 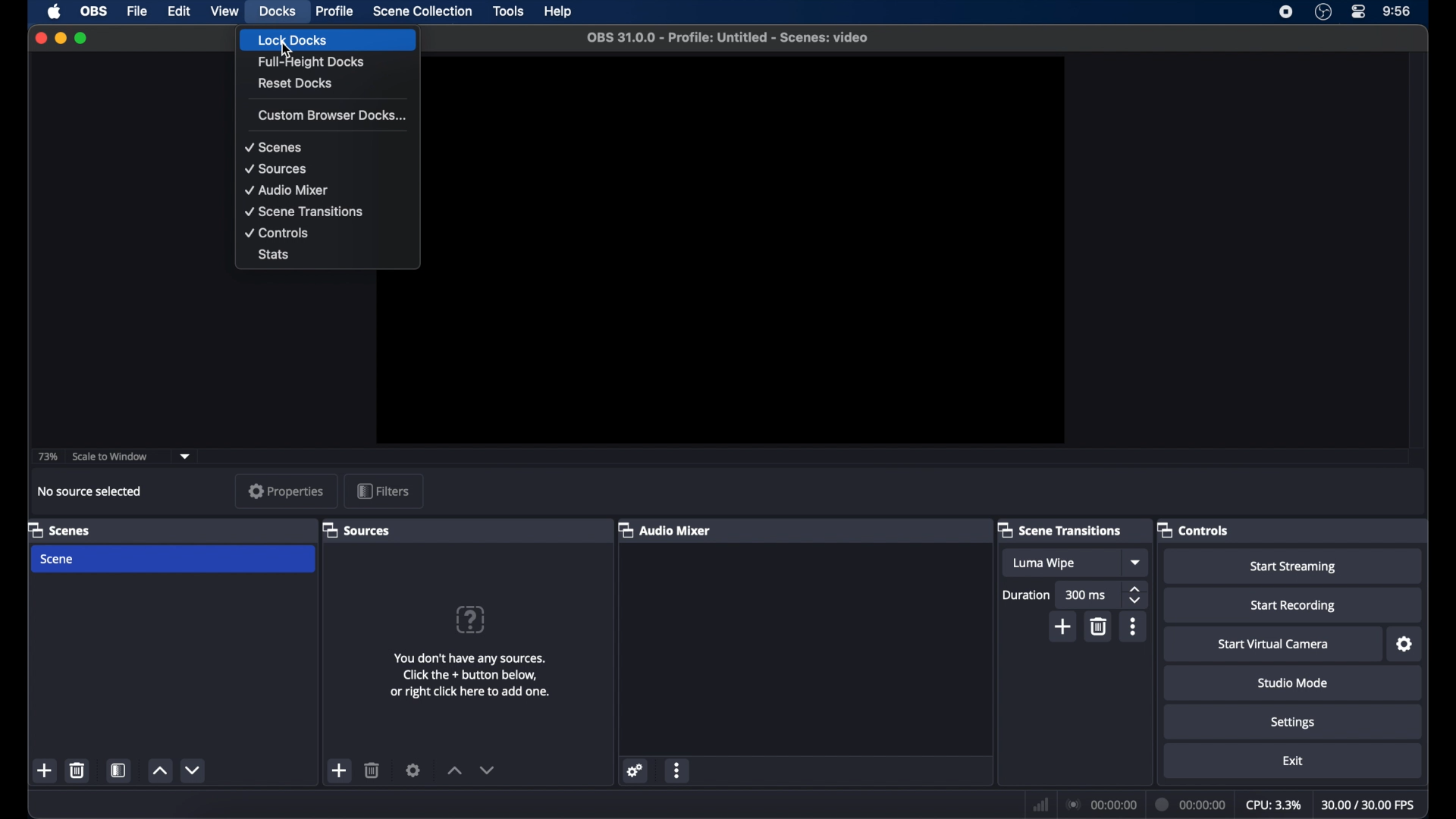 I want to click on settings, so click(x=413, y=770).